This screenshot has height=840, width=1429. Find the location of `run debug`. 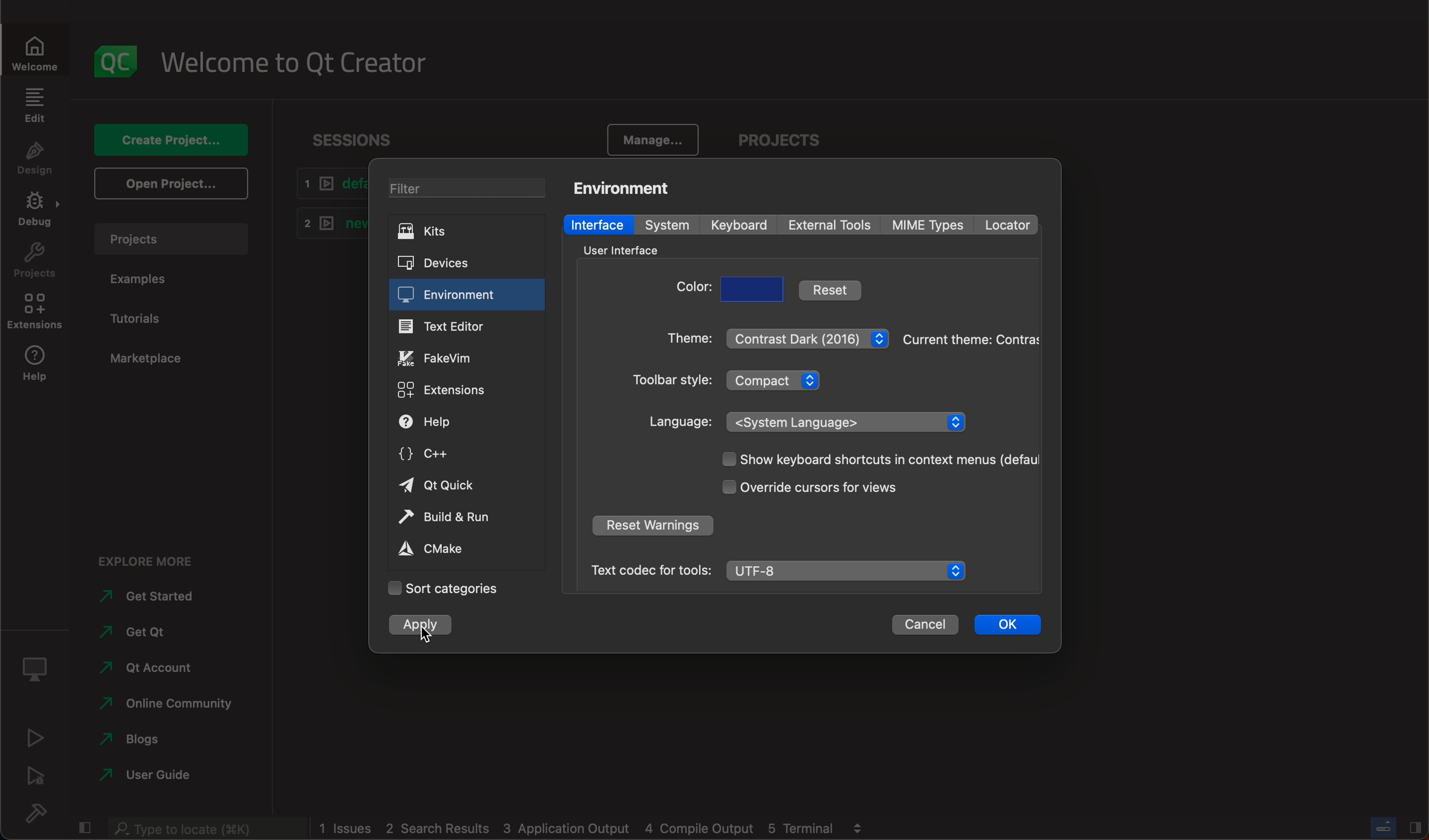

run debug is located at coordinates (38, 775).